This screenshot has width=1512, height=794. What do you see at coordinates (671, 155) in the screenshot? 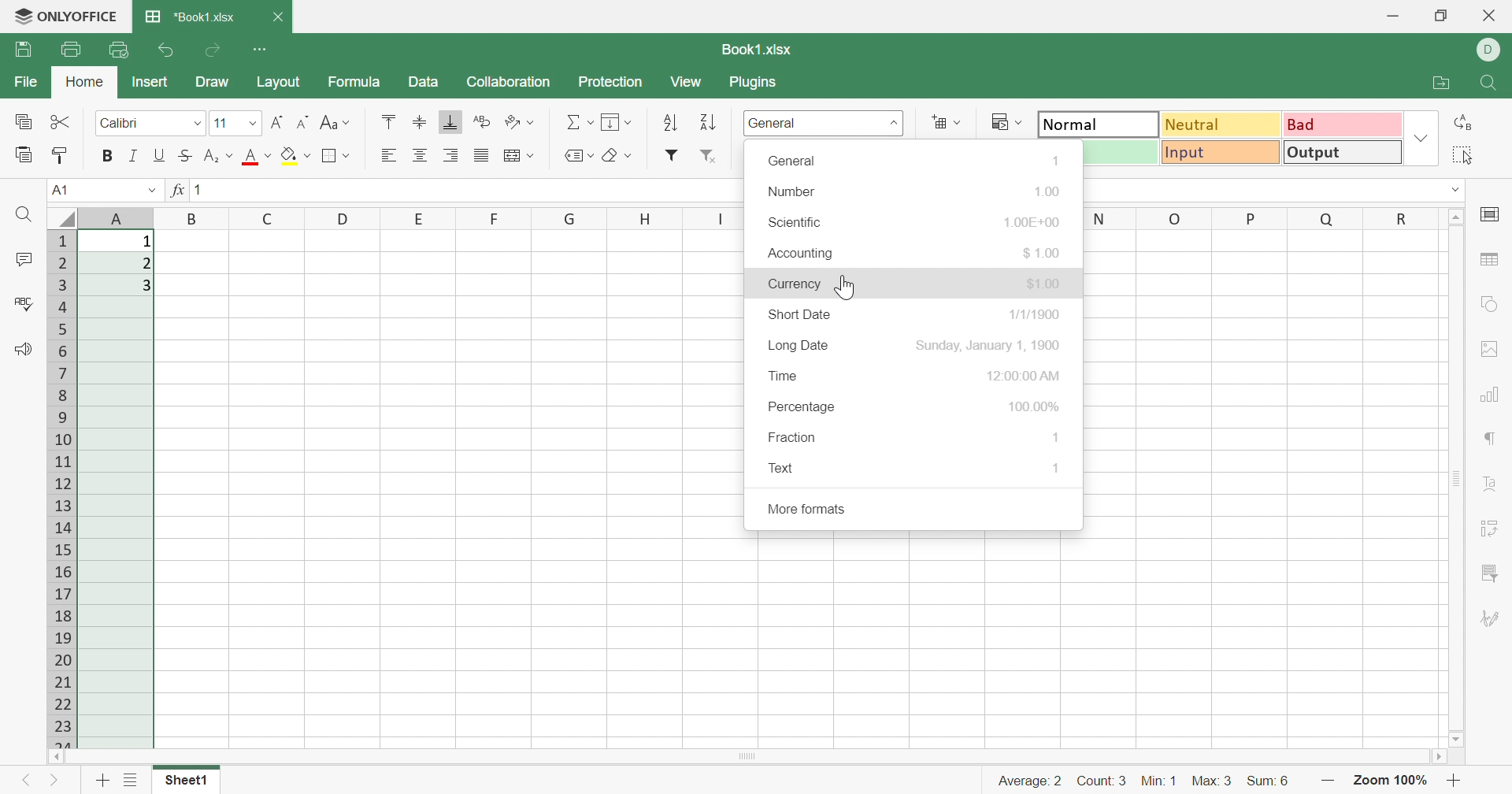
I see `Filter` at bounding box center [671, 155].